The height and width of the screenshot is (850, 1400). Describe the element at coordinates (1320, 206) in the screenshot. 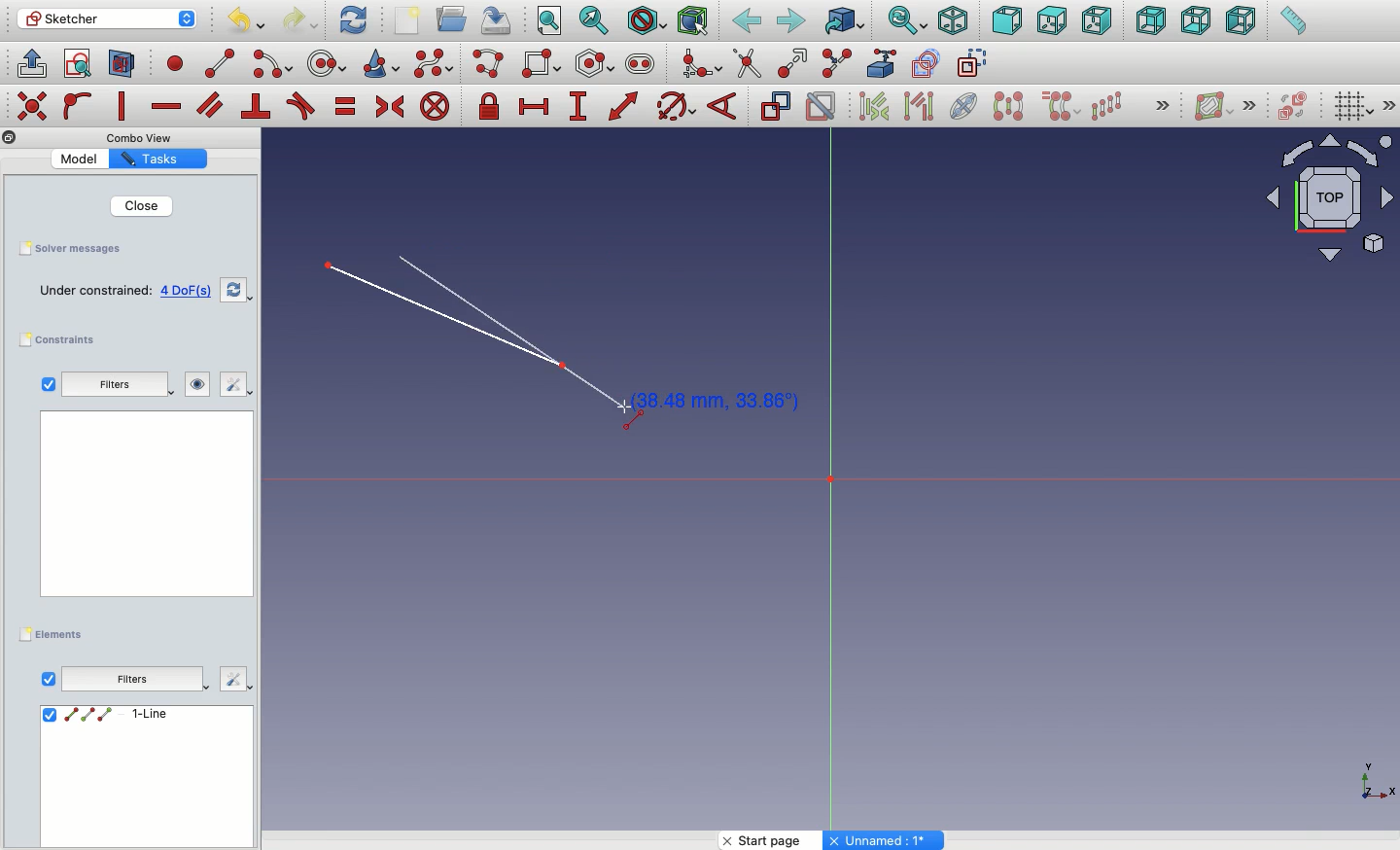

I see `` at that location.